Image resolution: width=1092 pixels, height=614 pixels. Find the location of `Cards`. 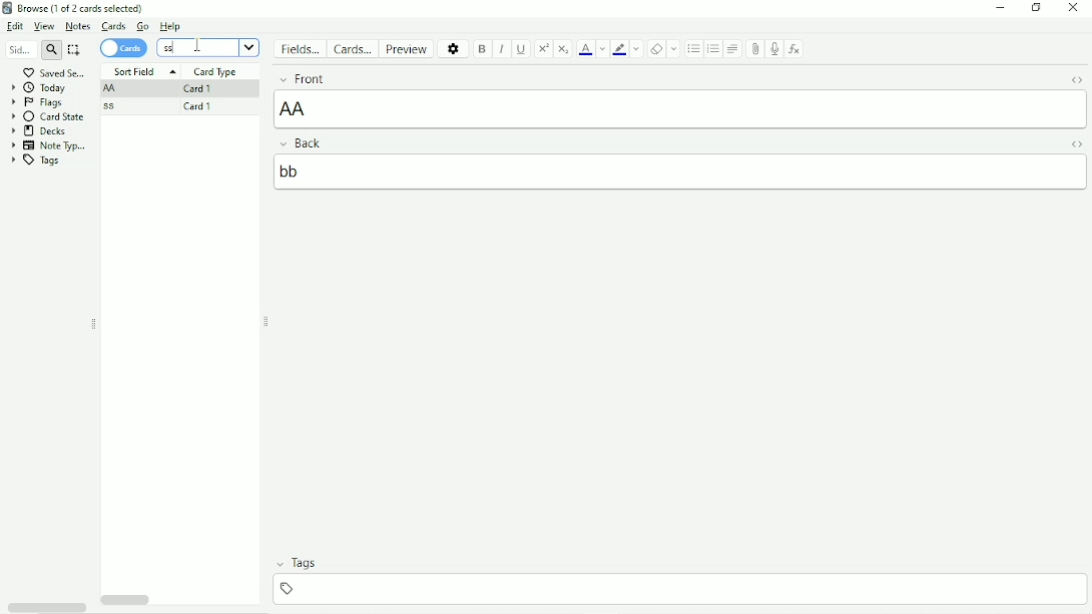

Cards is located at coordinates (112, 26).